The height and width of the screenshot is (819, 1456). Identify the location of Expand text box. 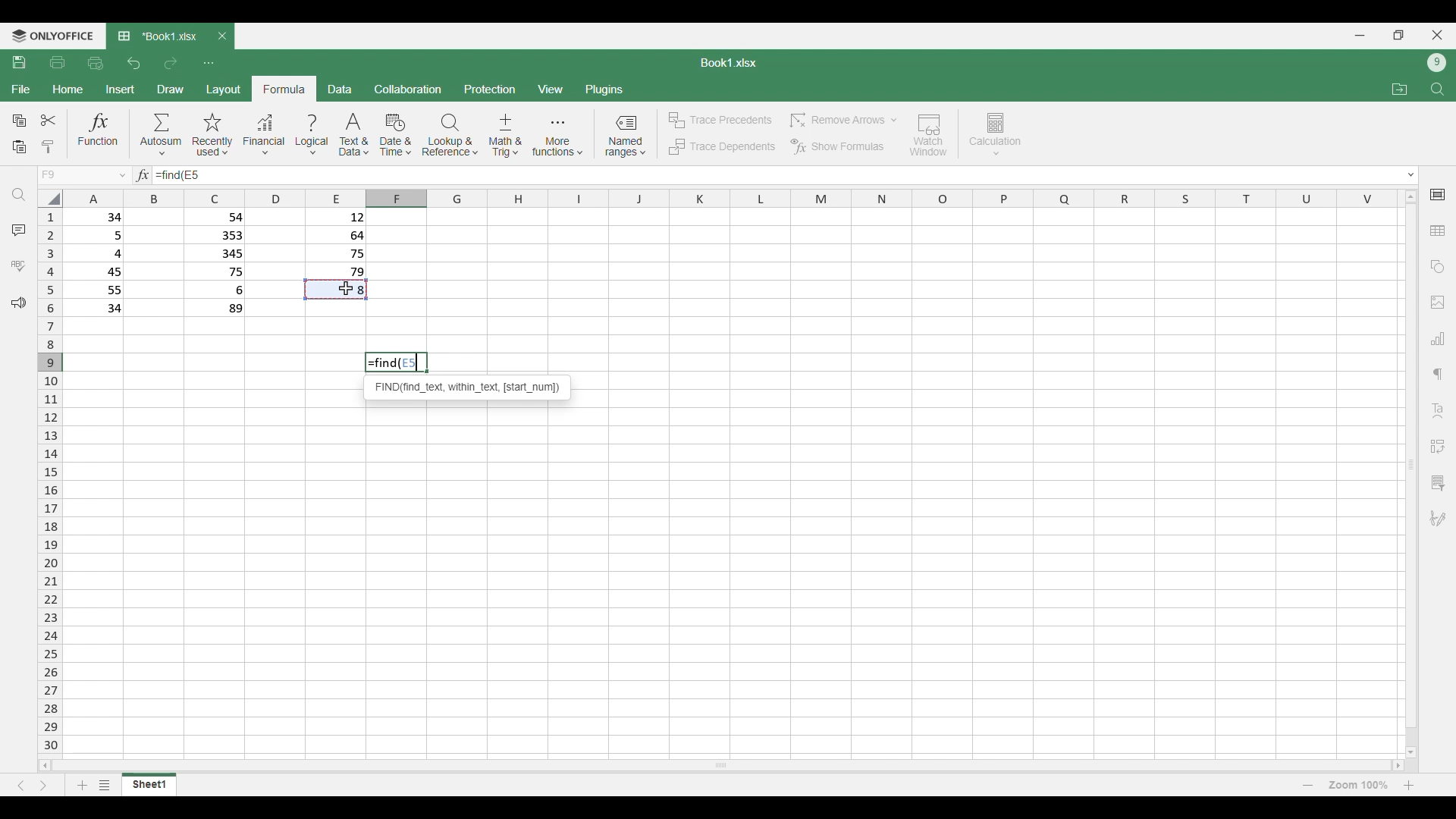
(1412, 175).